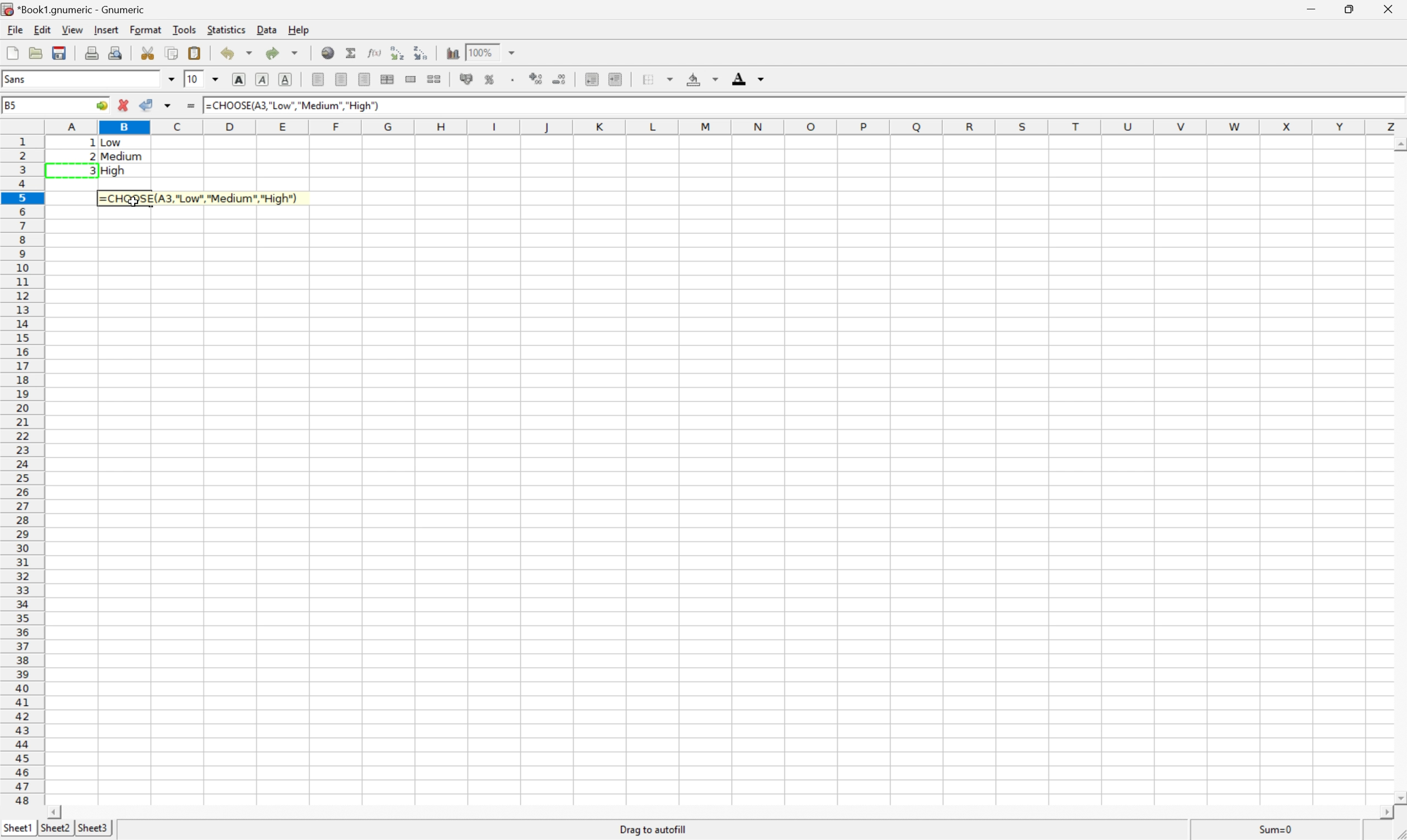 This screenshot has width=1407, height=840. Describe the element at coordinates (76, 10) in the screenshot. I see `*Book1.gnumeric - Gnumeric` at that location.